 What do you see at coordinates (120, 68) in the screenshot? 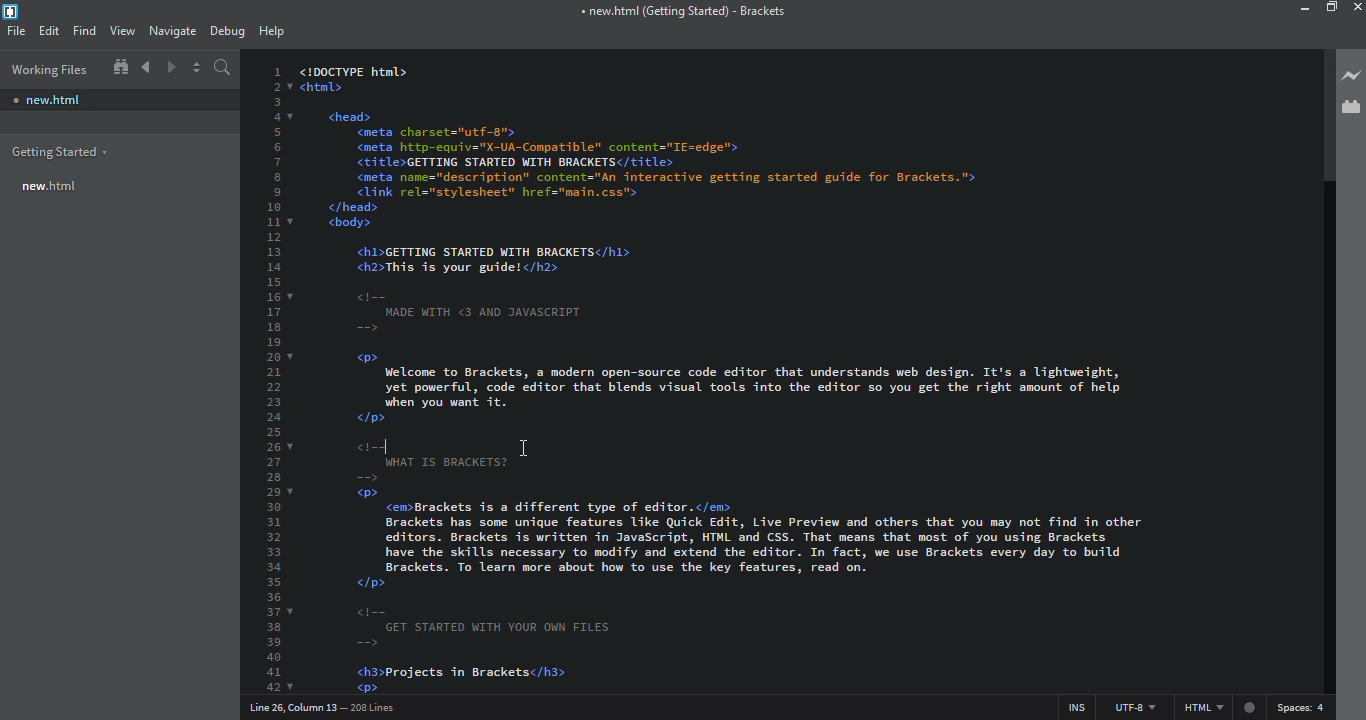
I see `show in file tree` at bounding box center [120, 68].